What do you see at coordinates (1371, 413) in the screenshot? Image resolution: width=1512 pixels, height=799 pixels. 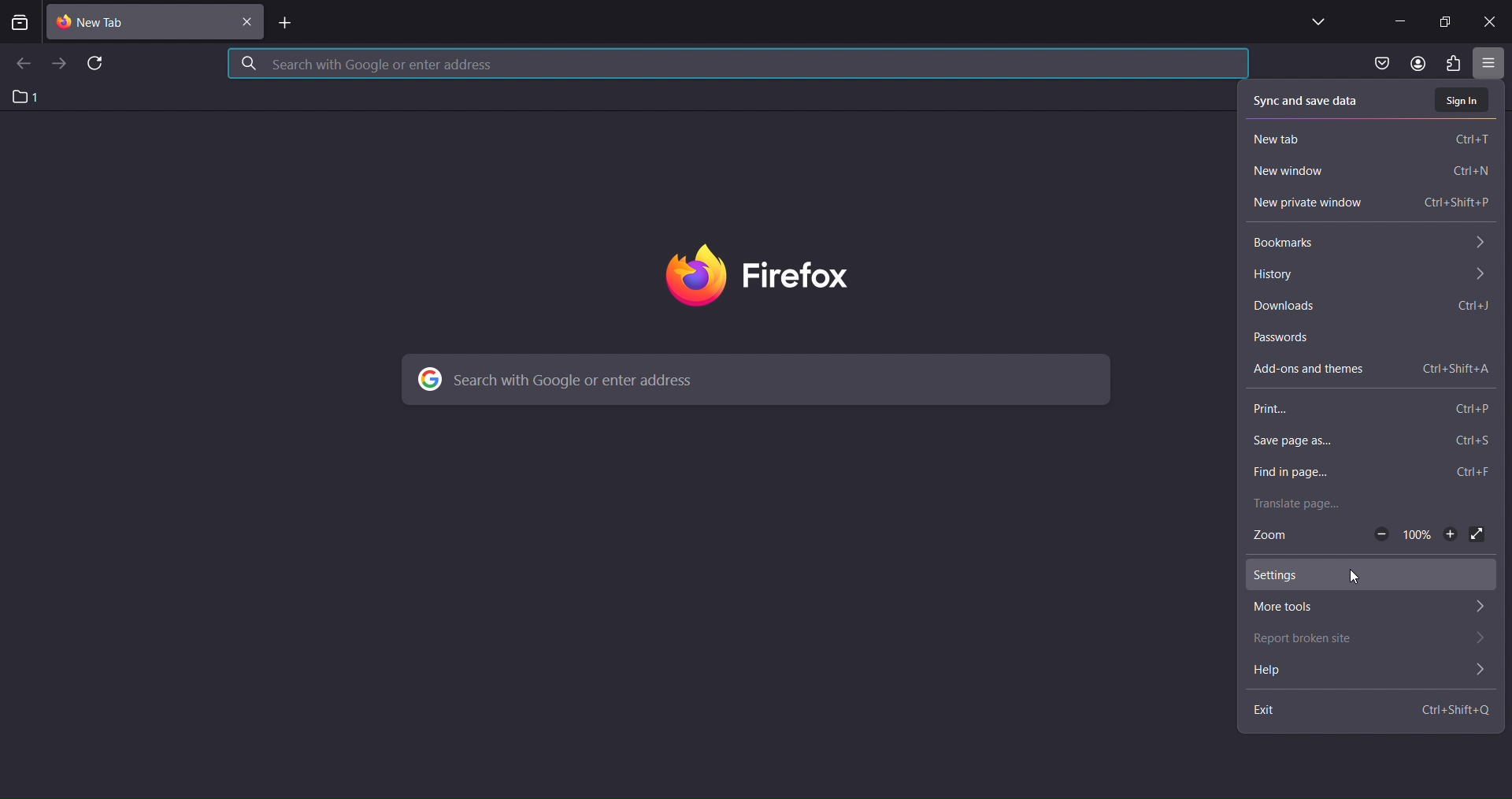 I see `print` at bounding box center [1371, 413].